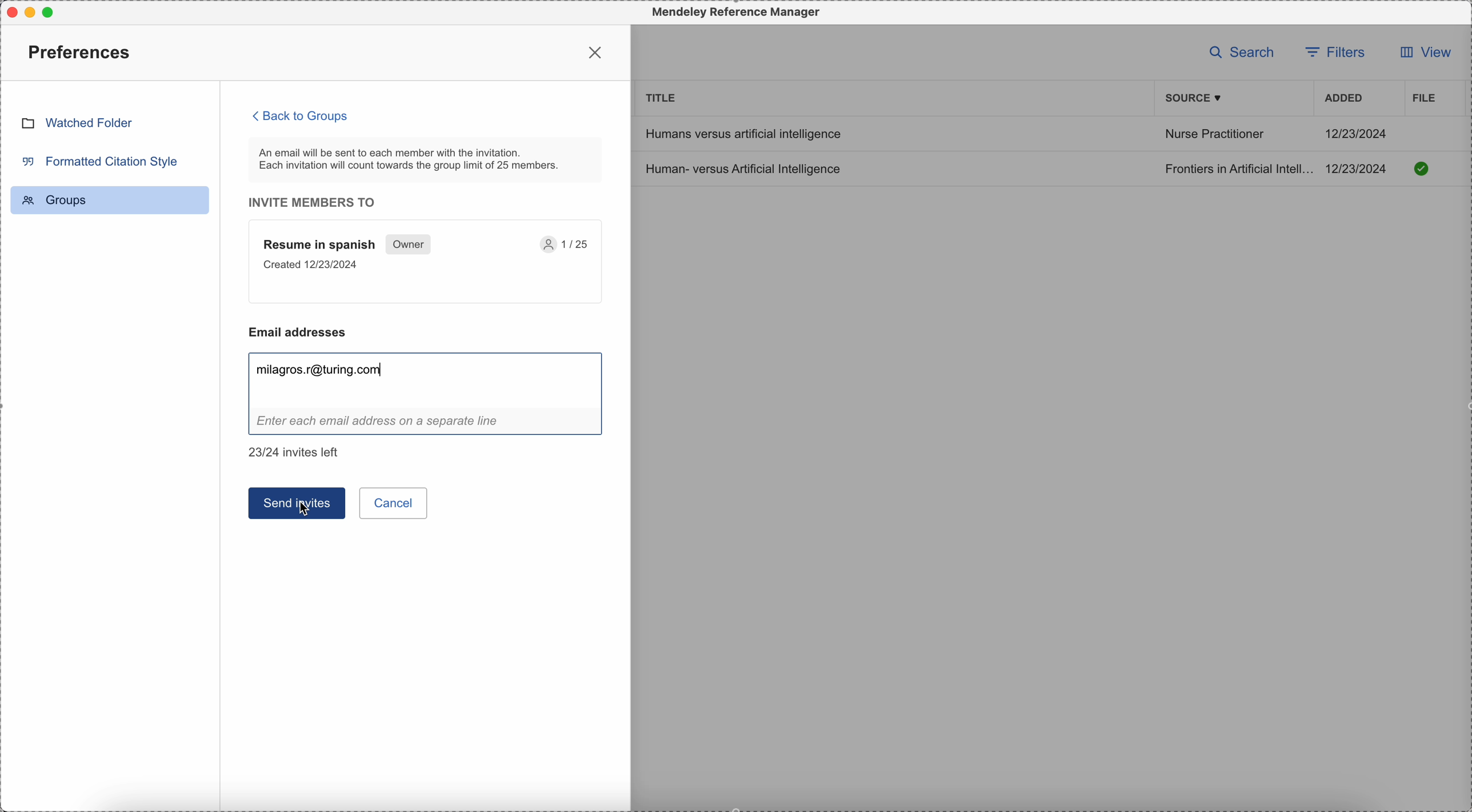 Image resolution: width=1472 pixels, height=812 pixels. I want to click on search, so click(1242, 51).